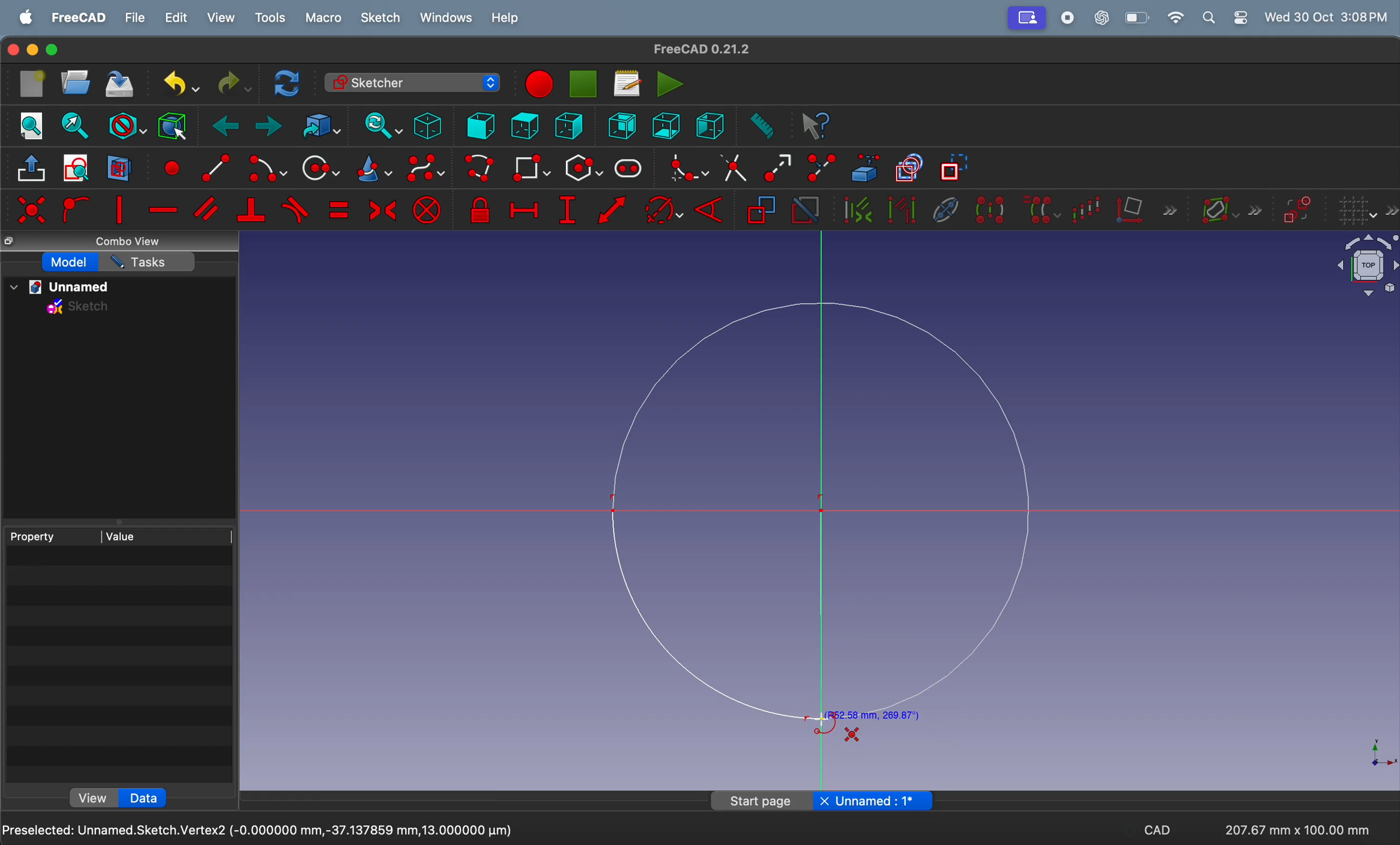 The height and width of the screenshot is (845, 1400). What do you see at coordinates (11, 51) in the screenshot?
I see `close` at bounding box center [11, 51].